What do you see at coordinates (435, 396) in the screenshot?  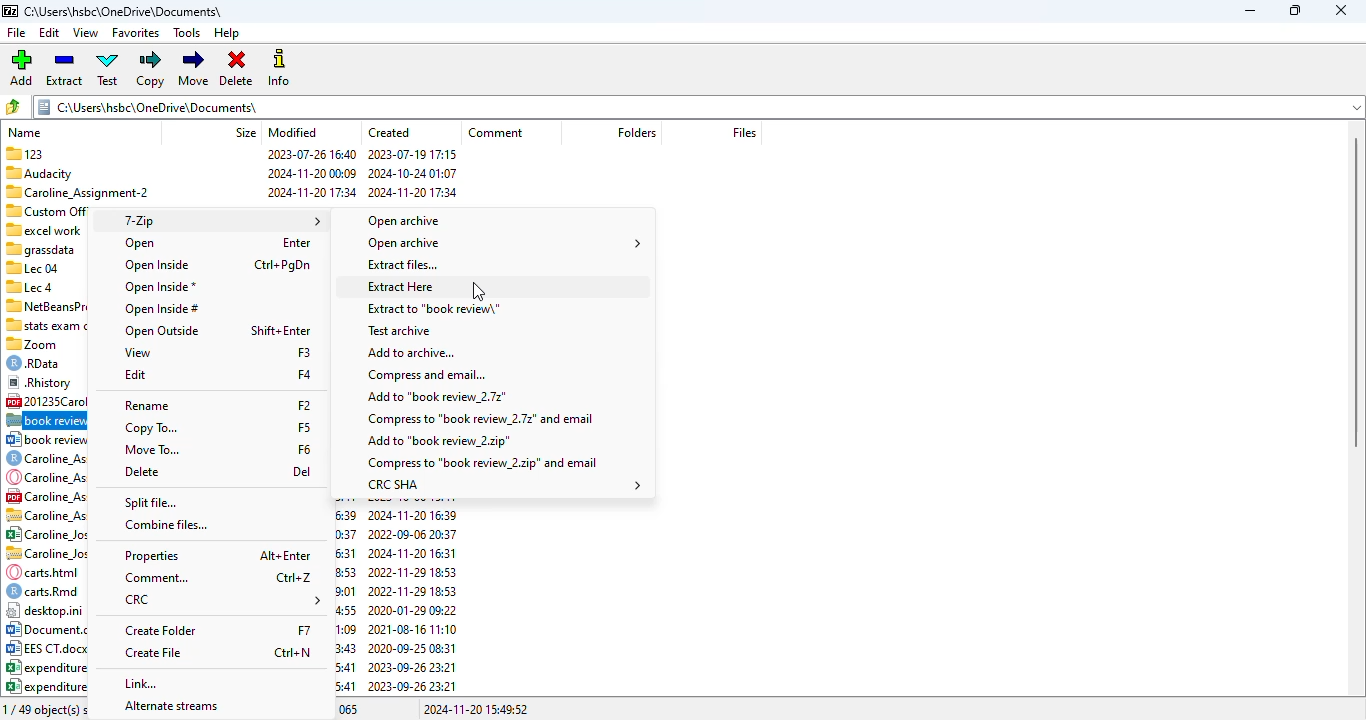 I see `add to .7z file` at bounding box center [435, 396].